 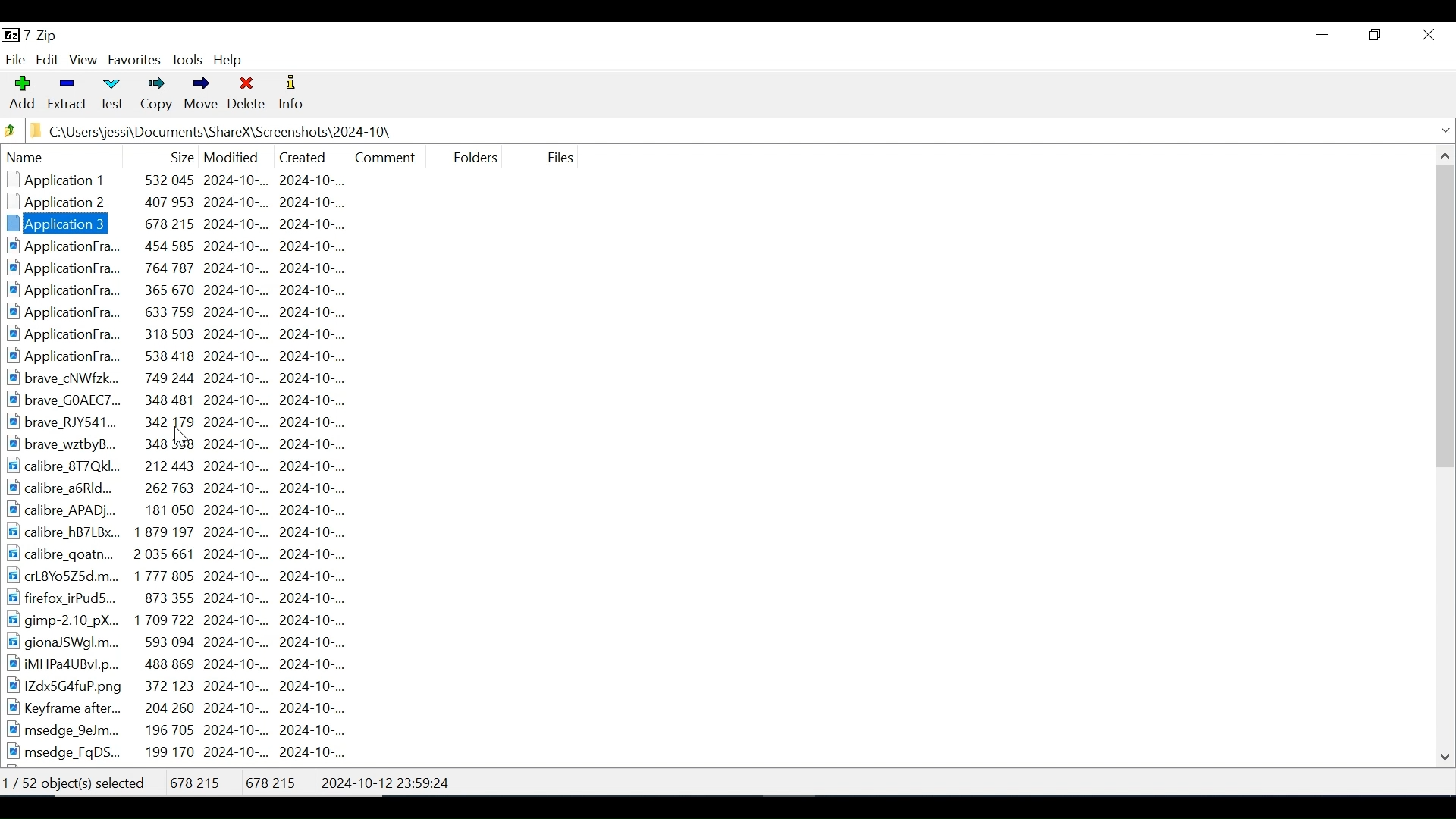 What do you see at coordinates (184, 311) in the screenshot?
I see `ApplicationFra... 633759 2024-10-... 2024-10-..` at bounding box center [184, 311].